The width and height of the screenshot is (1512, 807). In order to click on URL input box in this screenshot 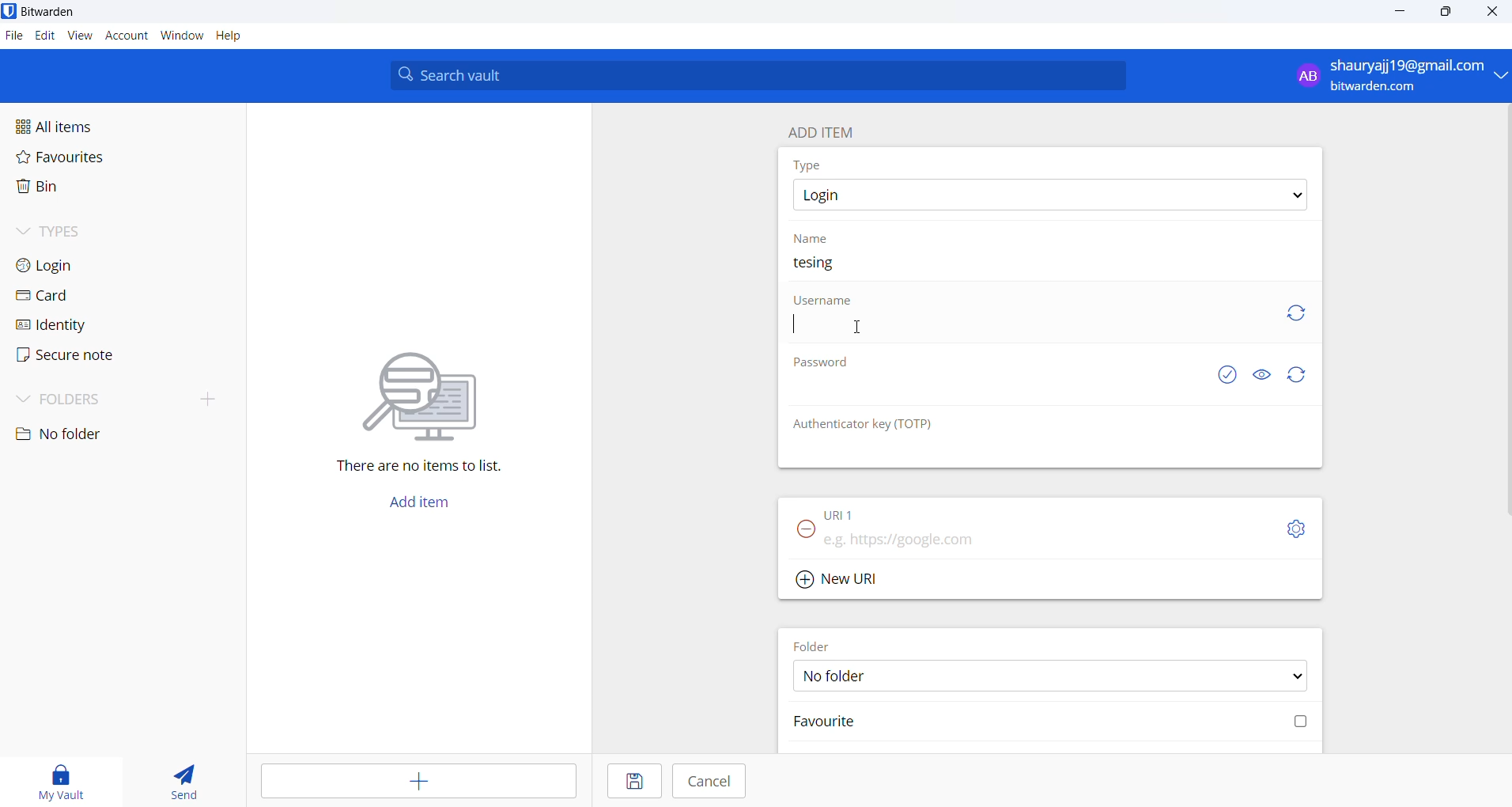, I will do `click(1045, 535)`.